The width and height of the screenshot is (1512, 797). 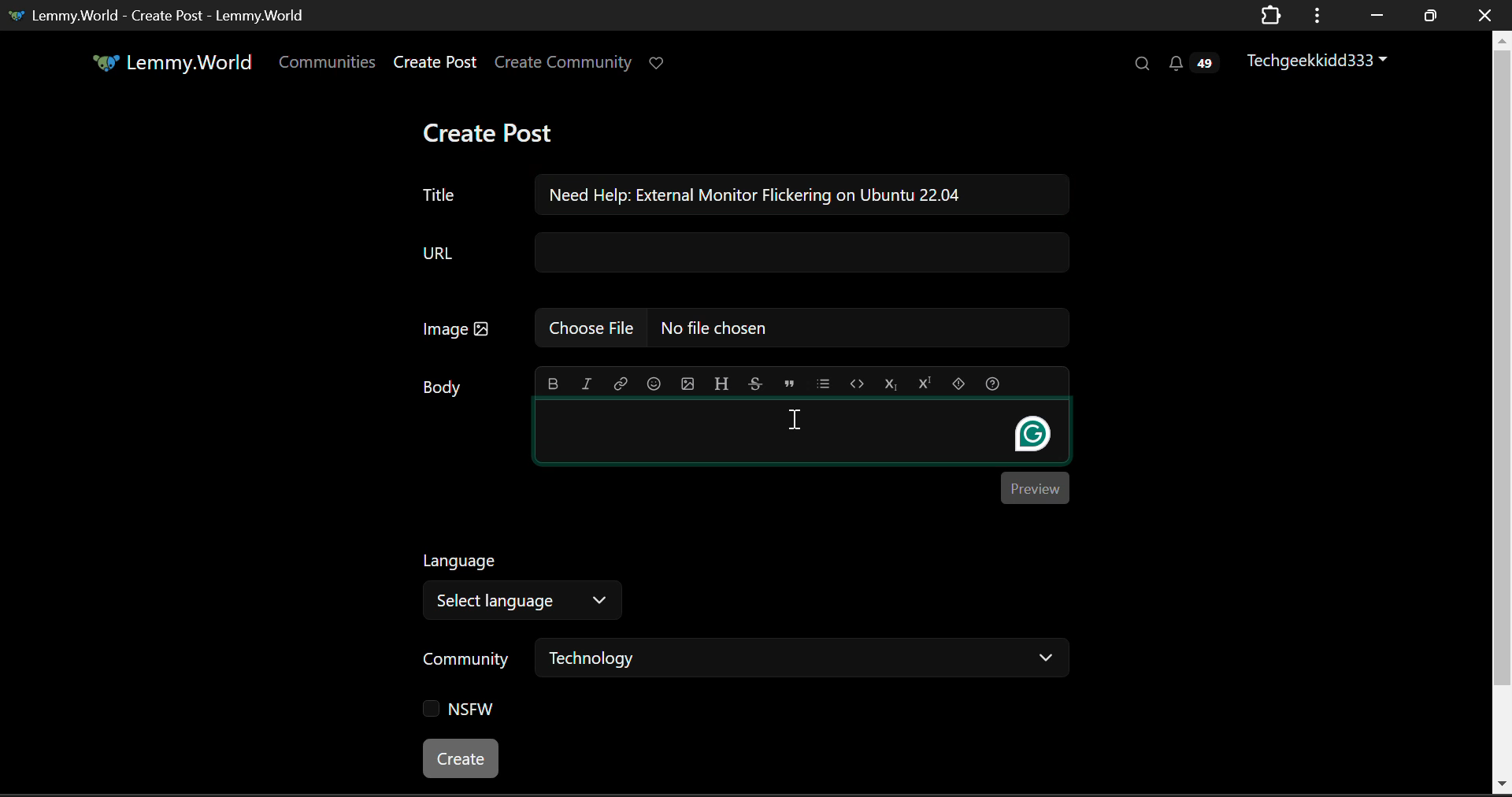 What do you see at coordinates (1035, 489) in the screenshot?
I see `Preview Button` at bounding box center [1035, 489].